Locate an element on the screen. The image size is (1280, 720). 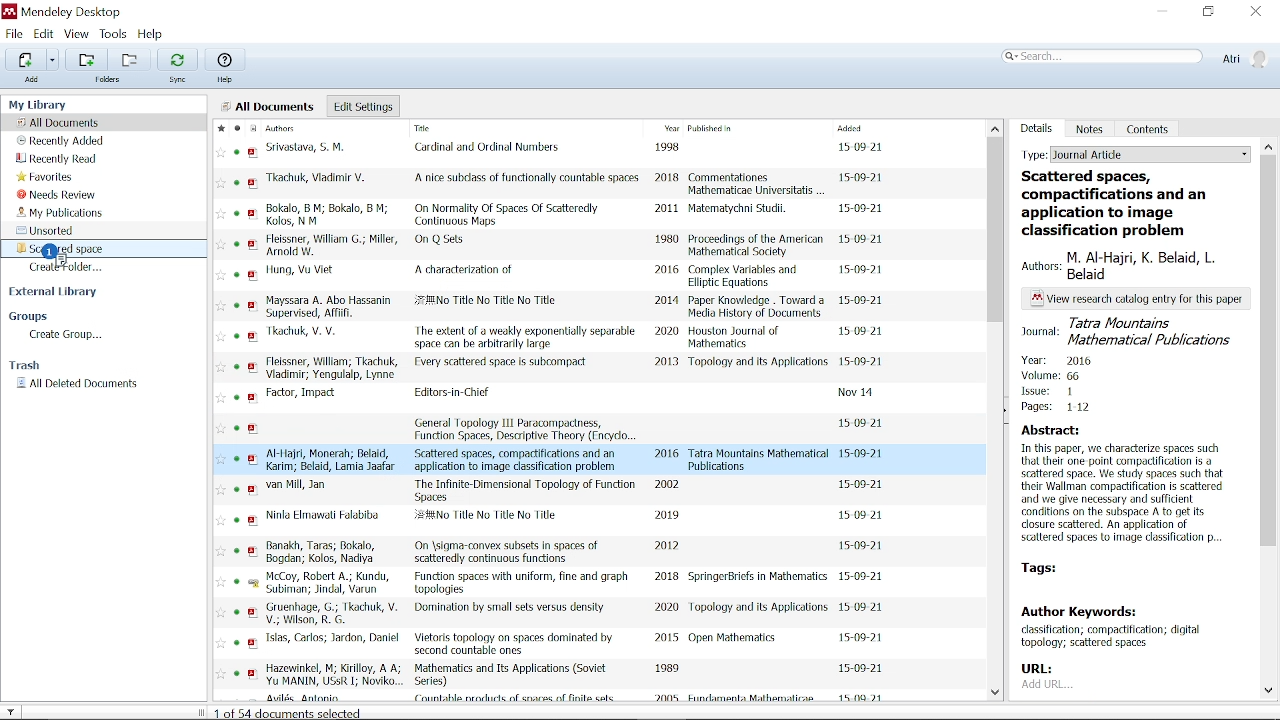
Help is located at coordinates (225, 59).